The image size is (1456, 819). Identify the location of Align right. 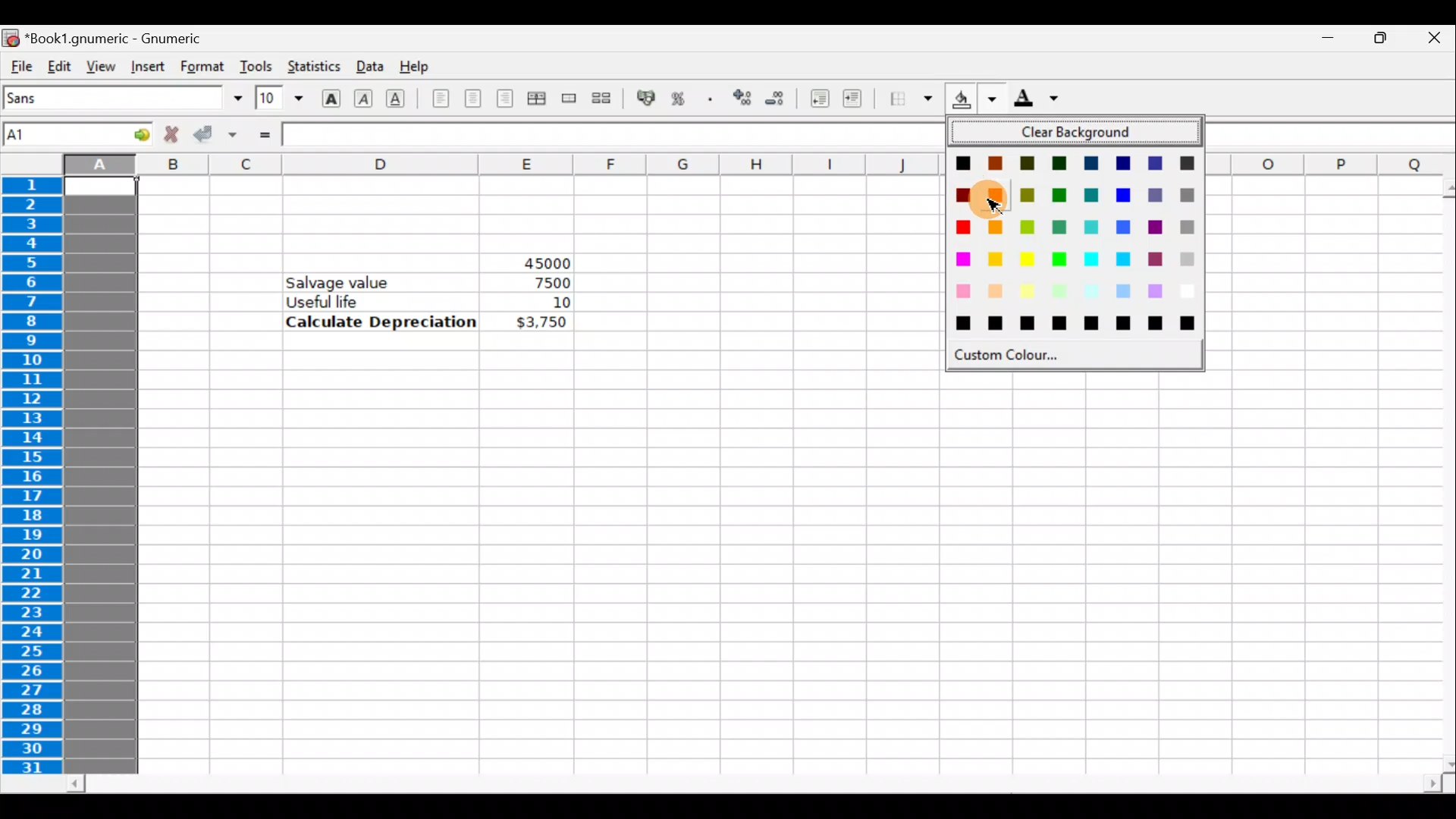
(504, 99).